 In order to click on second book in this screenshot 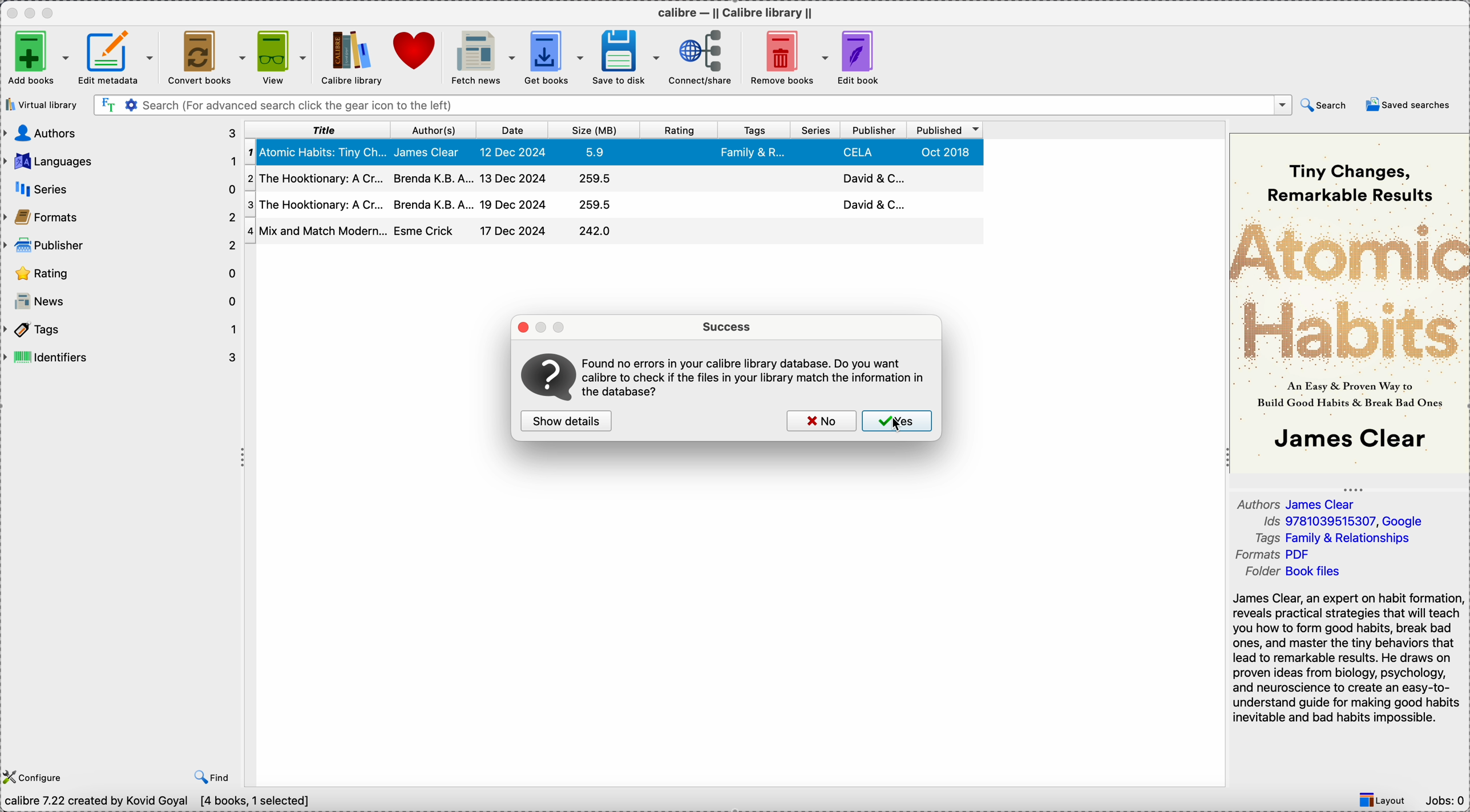, I will do `click(613, 180)`.